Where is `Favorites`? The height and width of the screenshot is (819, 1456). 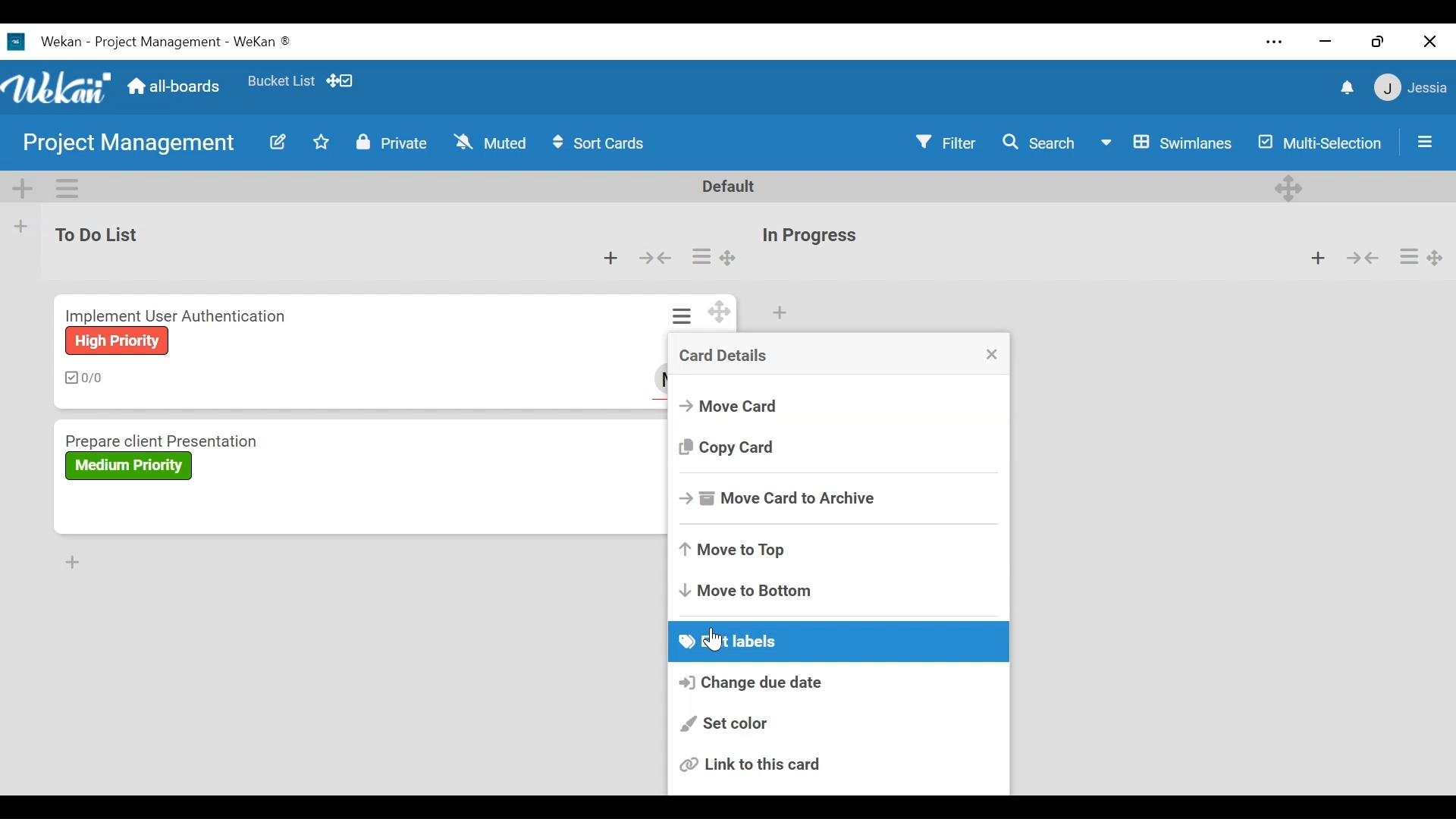
Favorites is located at coordinates (281, 80).